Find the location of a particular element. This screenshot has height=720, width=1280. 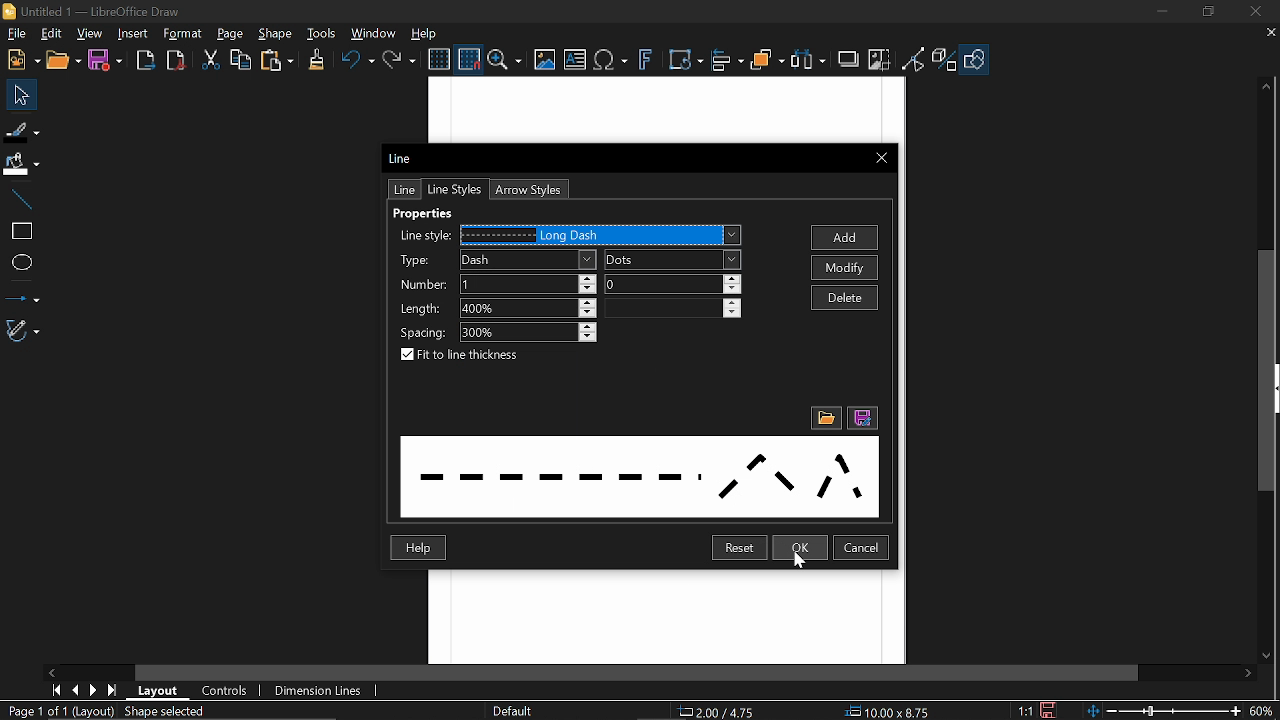

workspace is located at coordinates (669, 620).